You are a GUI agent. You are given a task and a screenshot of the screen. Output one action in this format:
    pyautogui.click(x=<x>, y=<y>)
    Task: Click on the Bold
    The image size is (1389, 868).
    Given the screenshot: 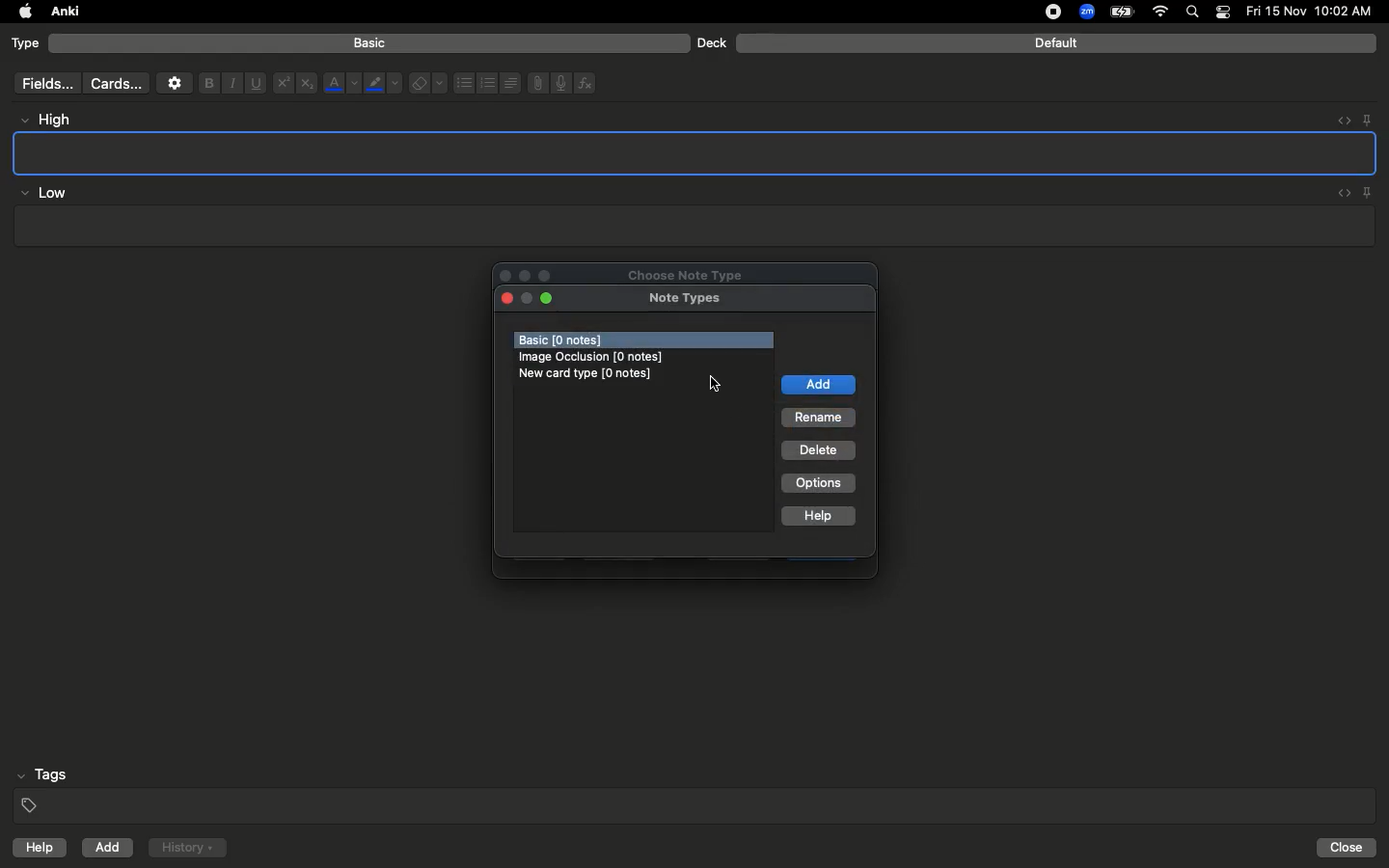 What is the action you would take?
    pyautogui.click(x=207, y=82)
    